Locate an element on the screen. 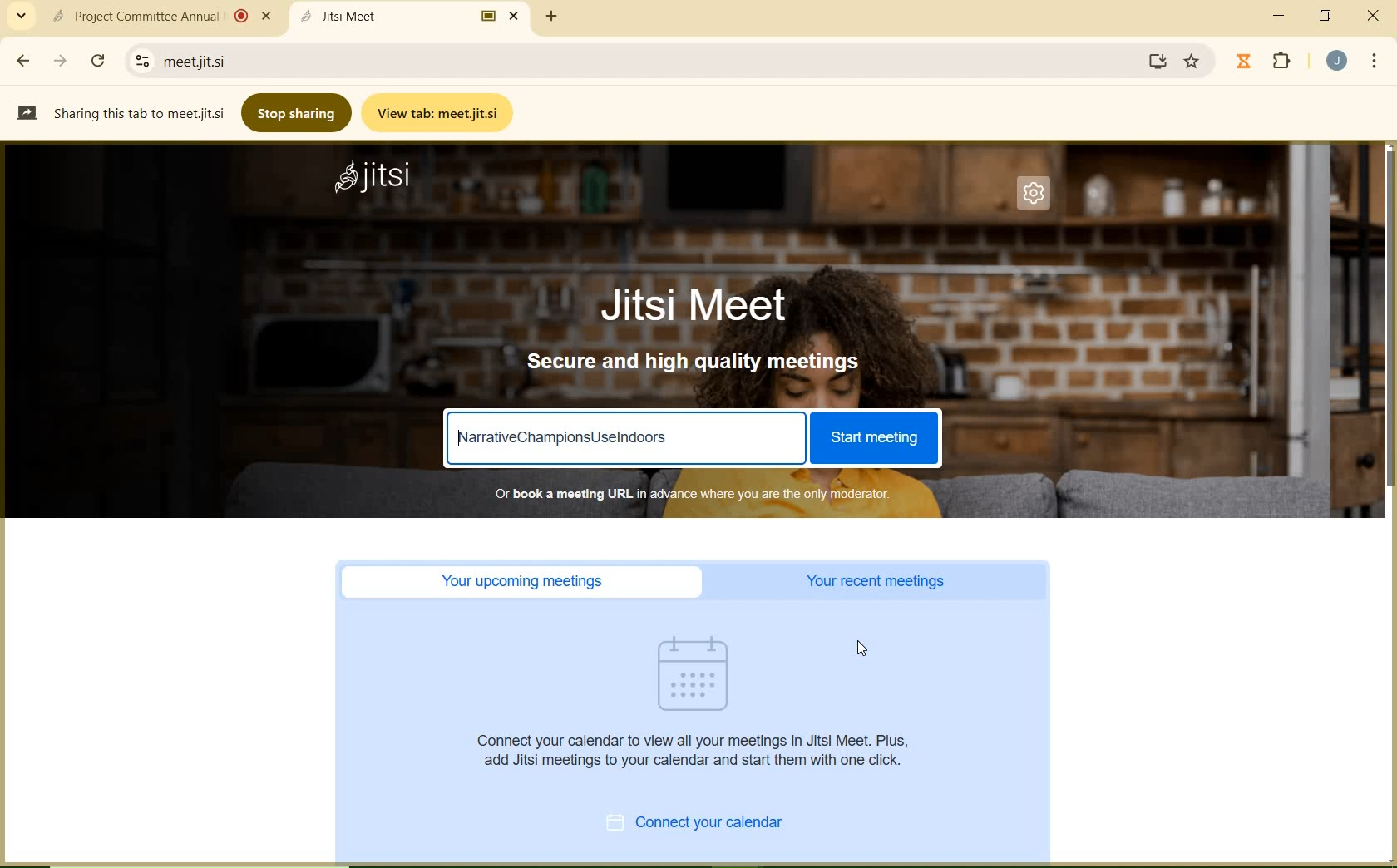 The image size is (1397, 868). favorite is located at coordinates (1193, 58).